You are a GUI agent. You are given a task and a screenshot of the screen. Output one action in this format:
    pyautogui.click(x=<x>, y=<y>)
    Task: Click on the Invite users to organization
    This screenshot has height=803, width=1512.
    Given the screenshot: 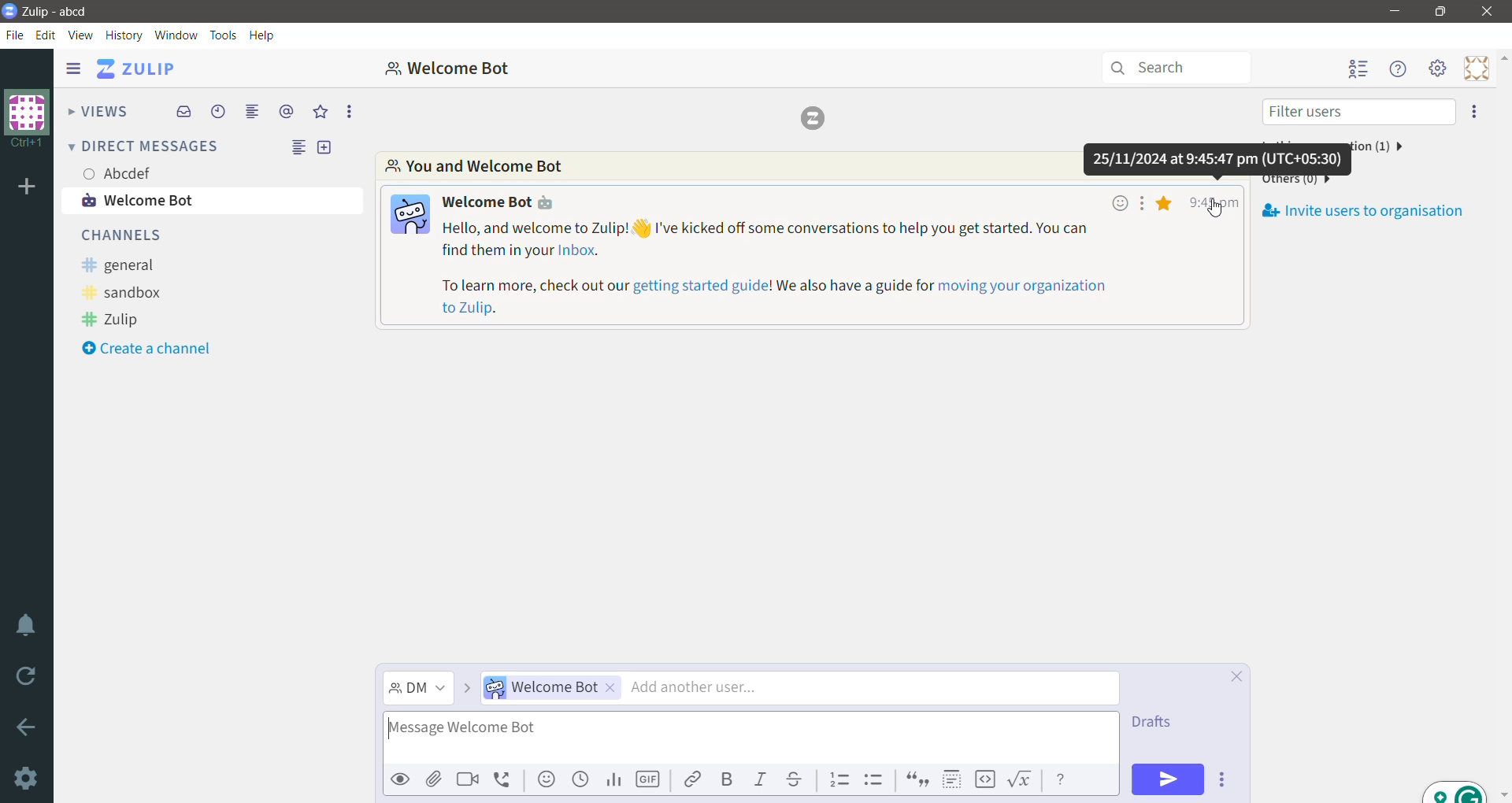 What is the action you would take?
    pyautogui.click(x=1365, y=206)
    